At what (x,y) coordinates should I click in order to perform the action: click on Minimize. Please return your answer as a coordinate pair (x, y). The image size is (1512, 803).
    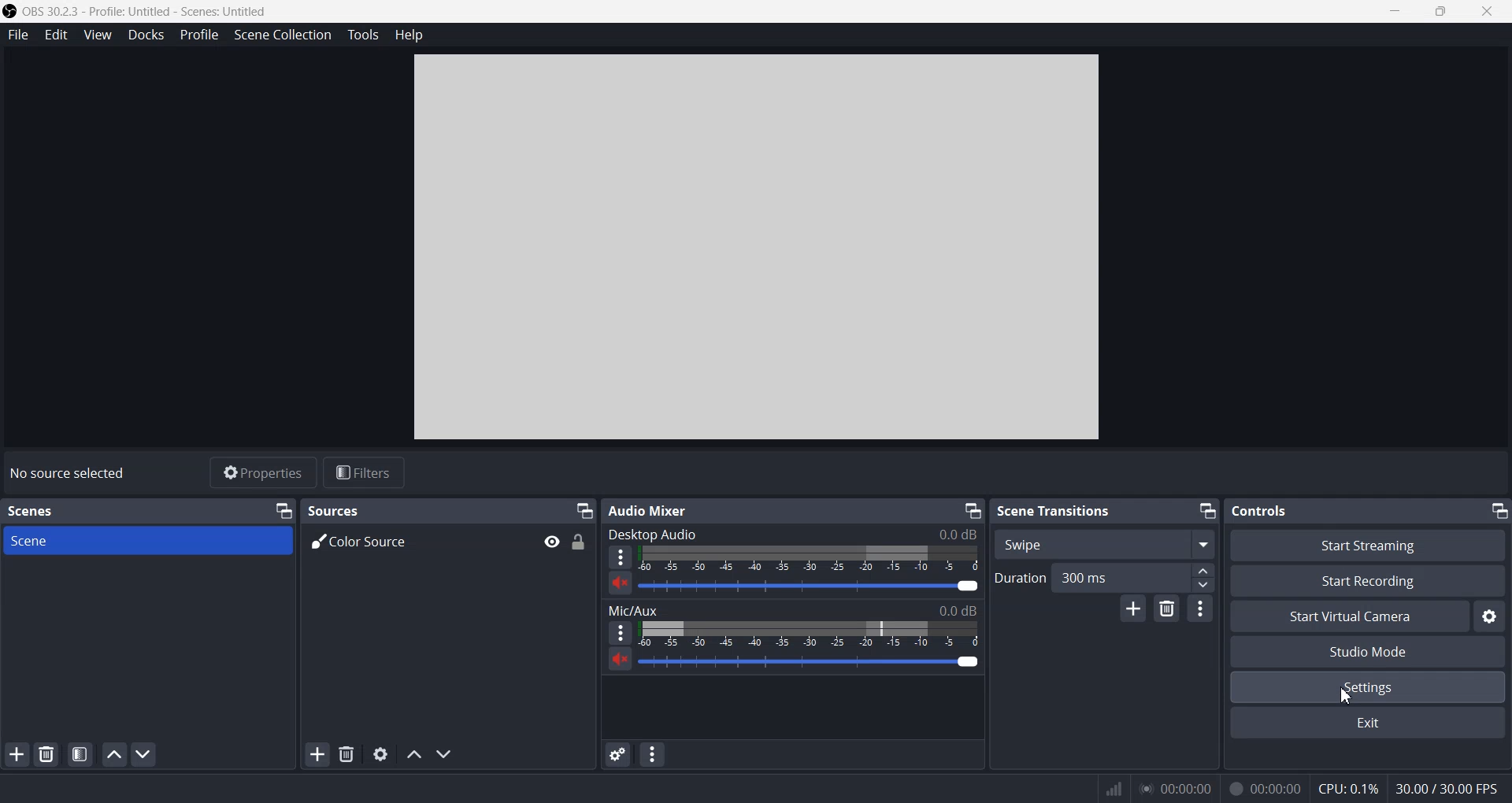
    Looking at the image, I should click on (1395, 10).